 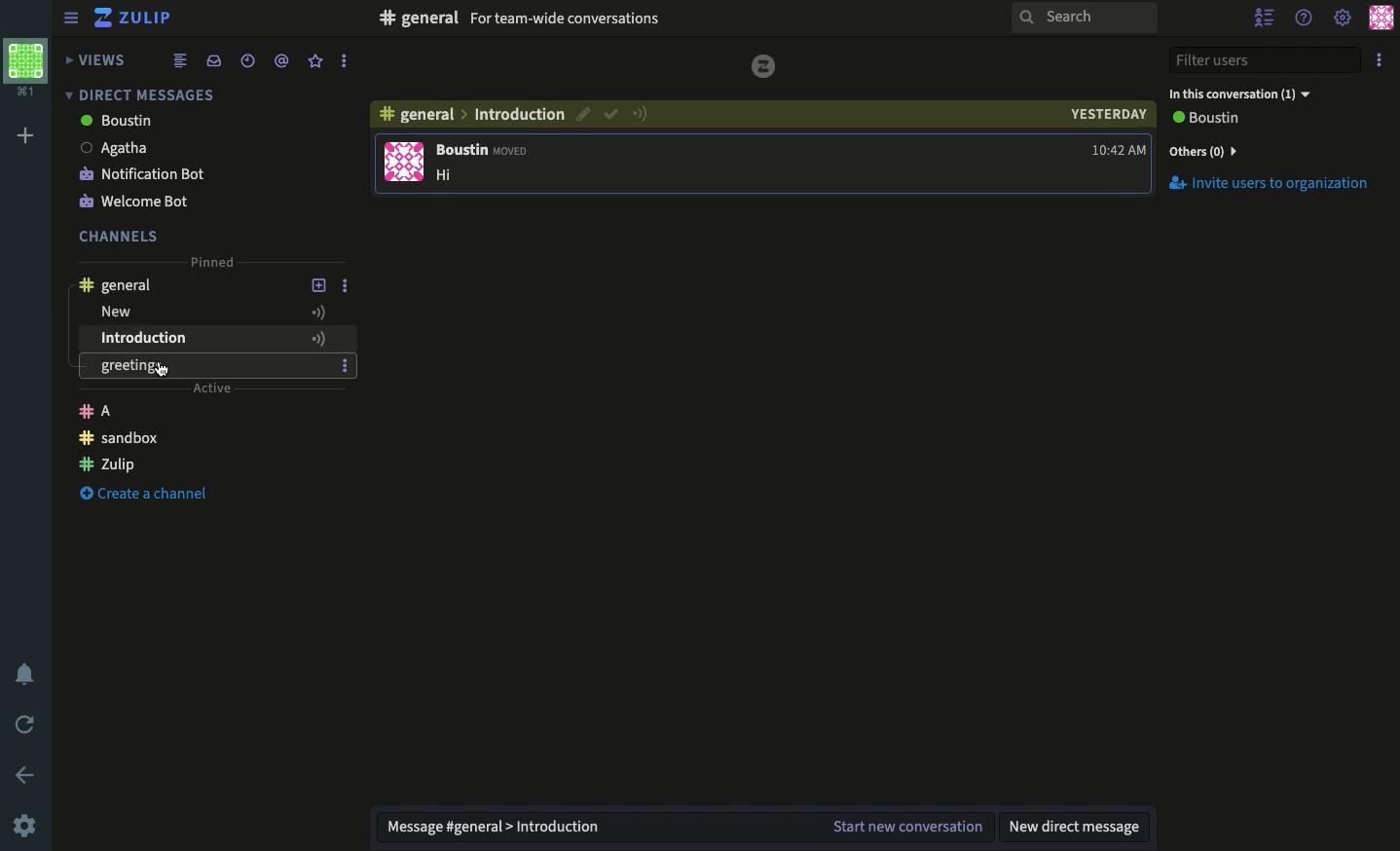 What do you see at coordinates (136, 94) in the screenshot?
I see `Direct messages` at bounding box center [136, 94].